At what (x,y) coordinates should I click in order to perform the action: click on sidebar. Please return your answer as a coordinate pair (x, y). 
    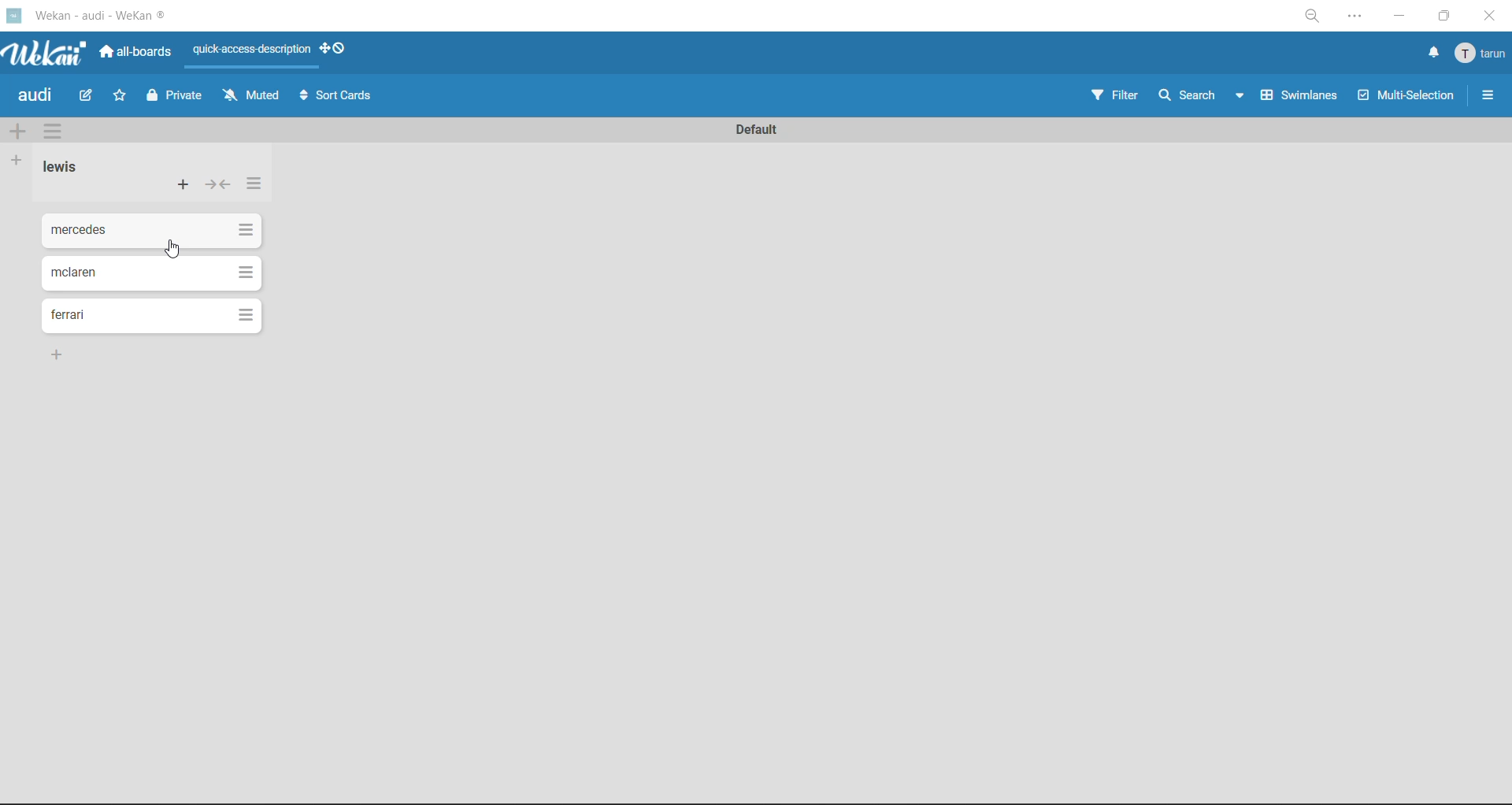
    Looking at the image, I should click on (1488, 95).